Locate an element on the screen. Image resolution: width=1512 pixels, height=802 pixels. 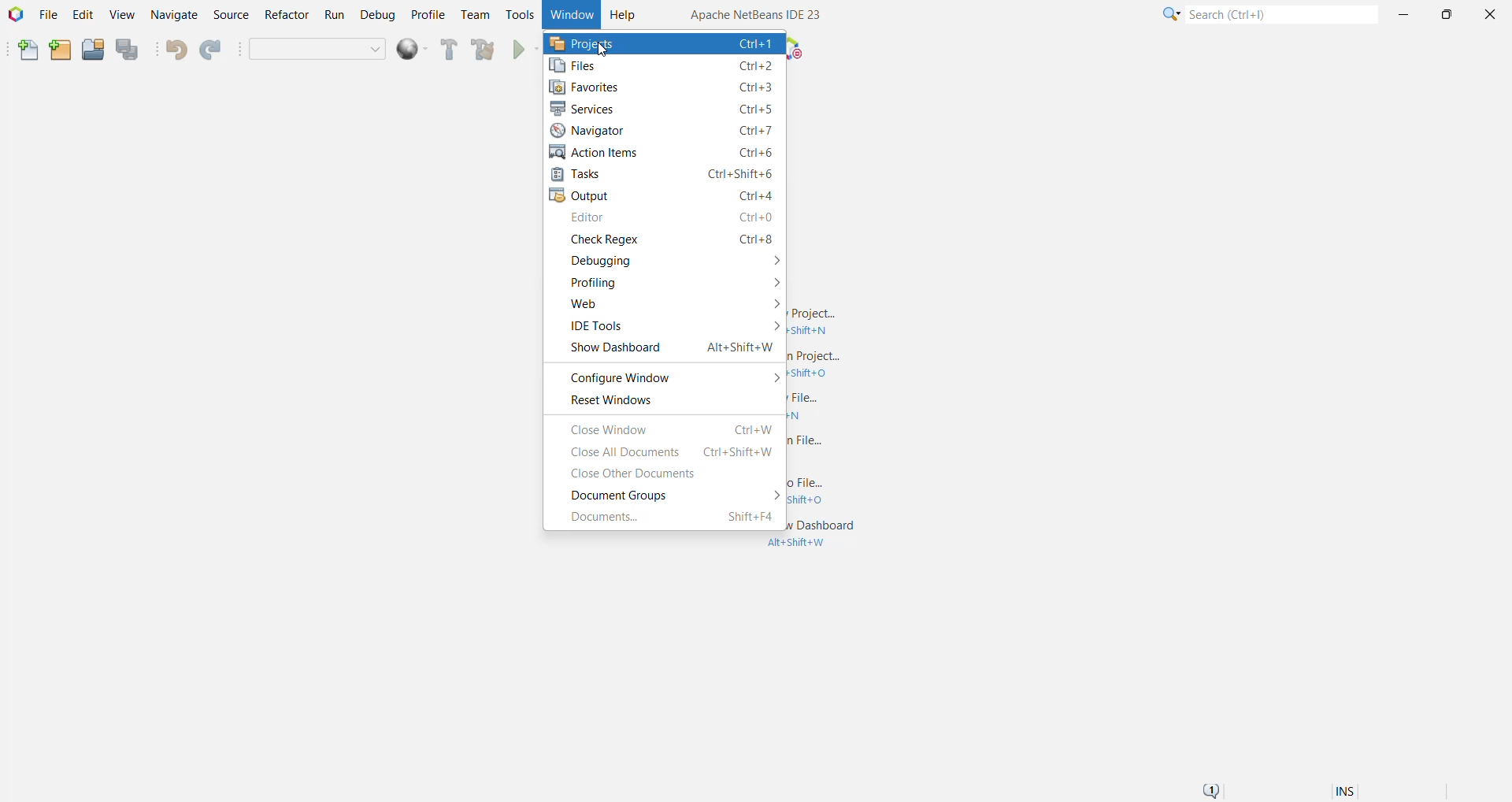
Check Regex is located at coordinates (669, 239).